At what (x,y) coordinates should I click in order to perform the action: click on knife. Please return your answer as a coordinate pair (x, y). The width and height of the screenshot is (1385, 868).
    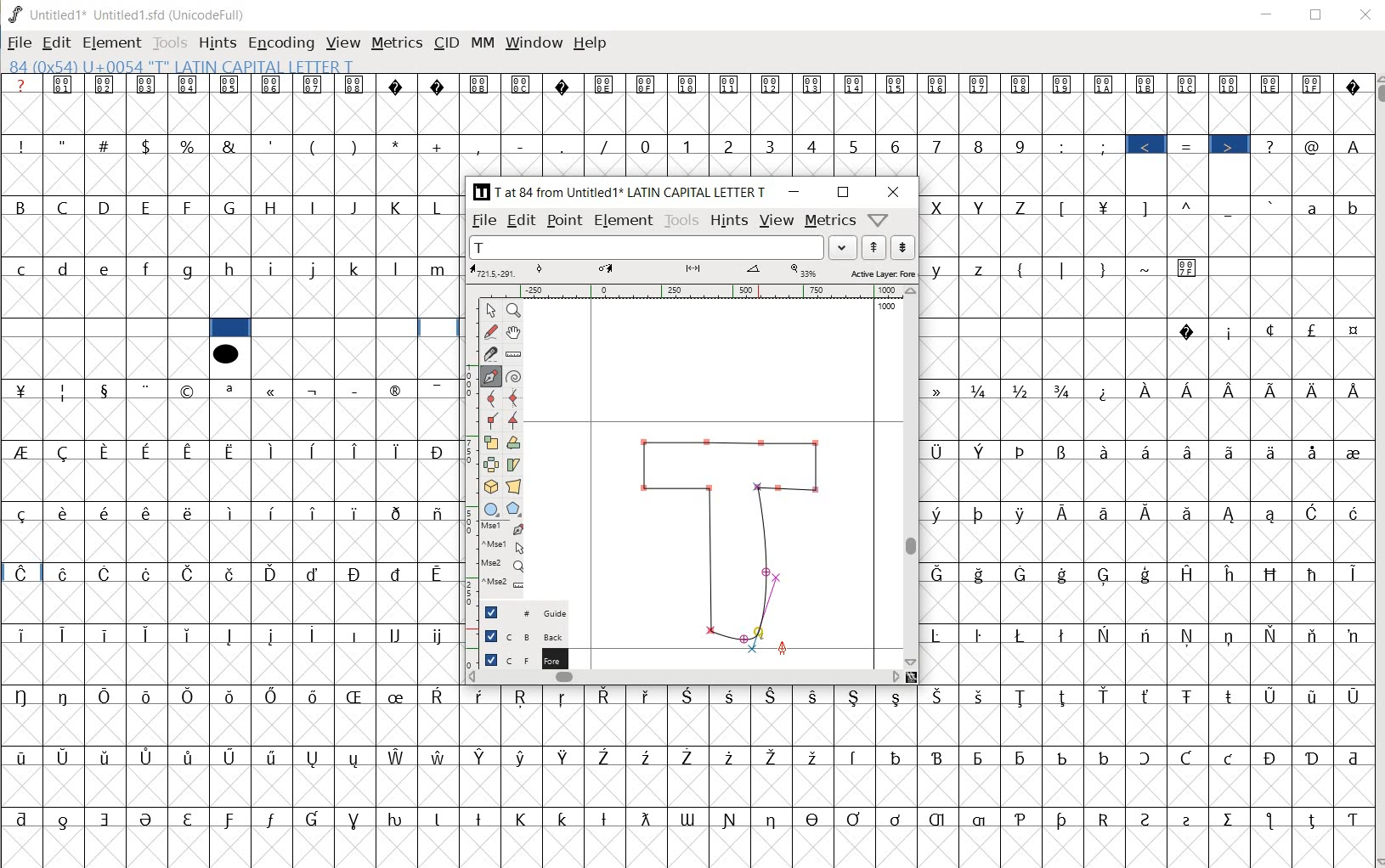
    Looking at the image, I should click on (491, 352).